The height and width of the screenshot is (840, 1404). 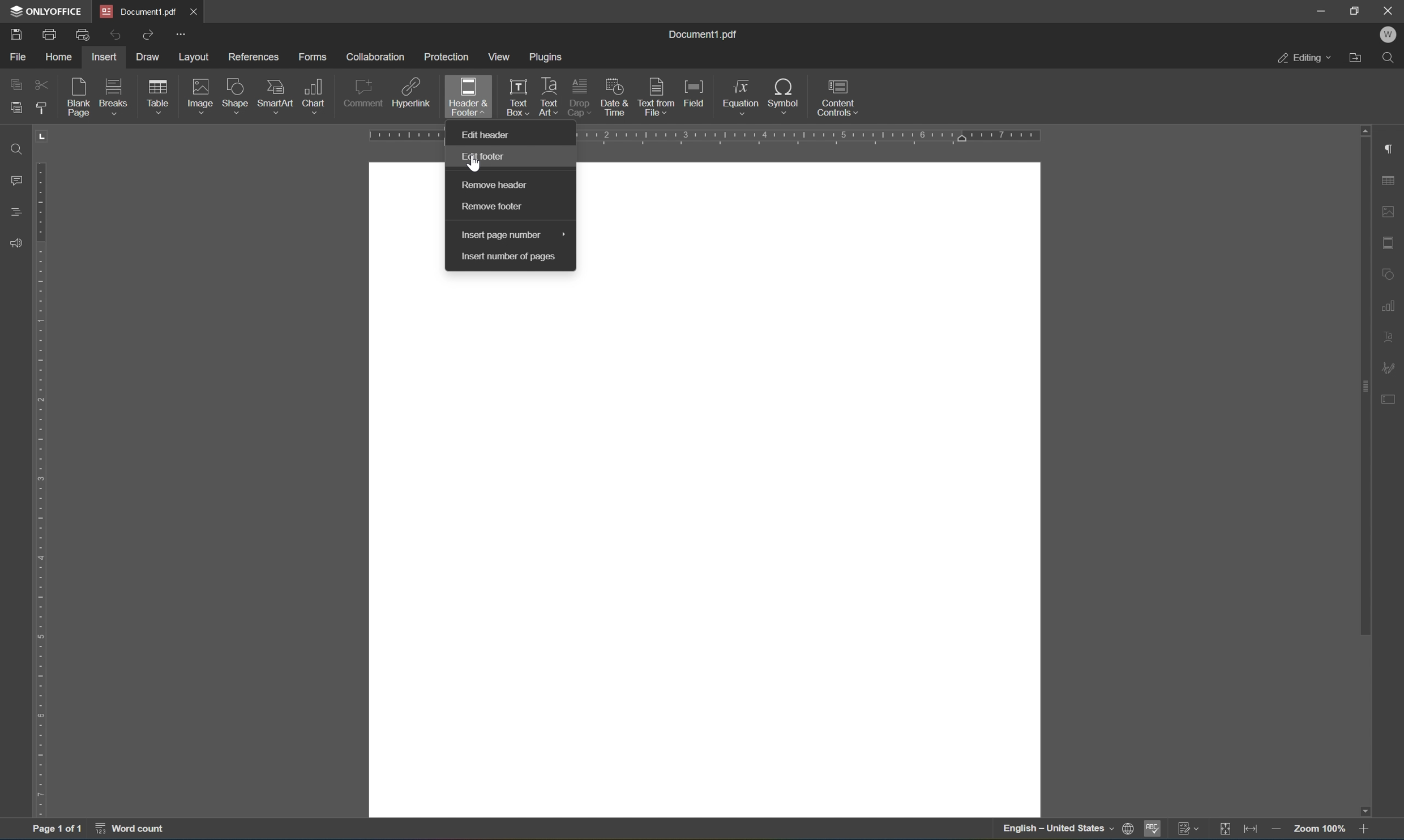 I want to click on document.pdf, so click(x=140, y=11).